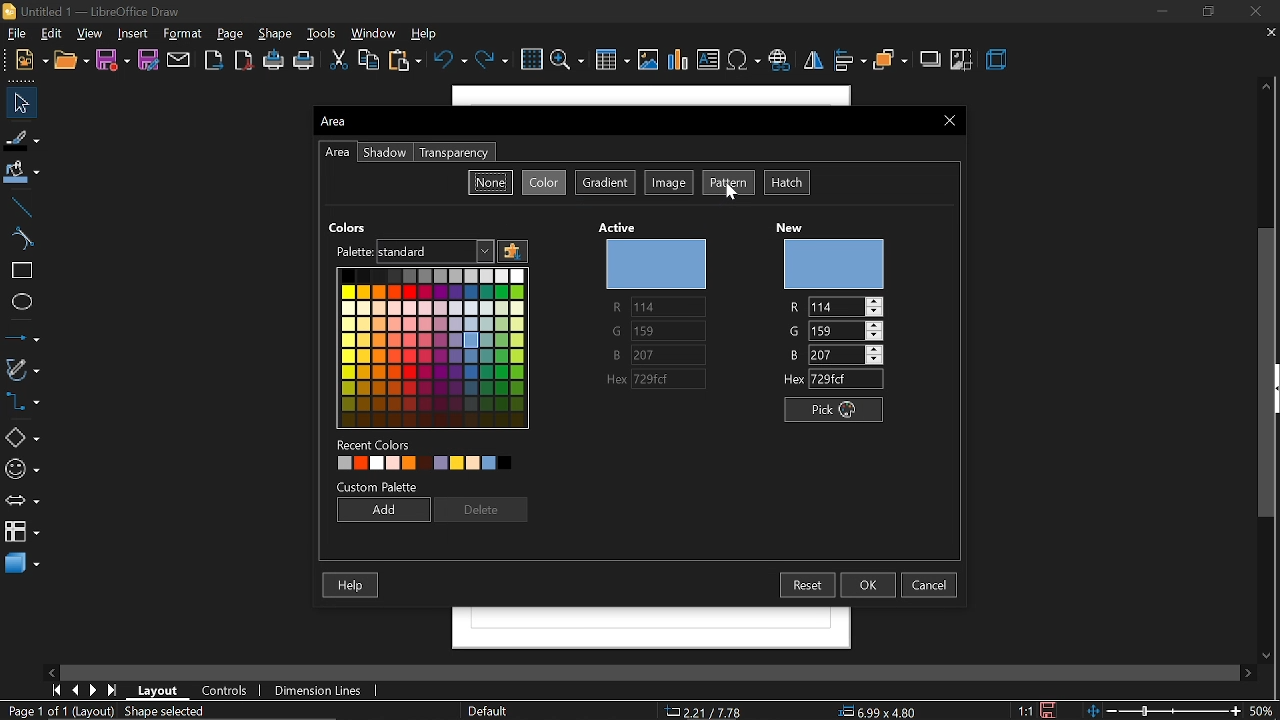 The height and width of the screenshot is (720, 1280). Describe the element at coordinates (403, 61) in the screenshot. I see `paste` at that location.